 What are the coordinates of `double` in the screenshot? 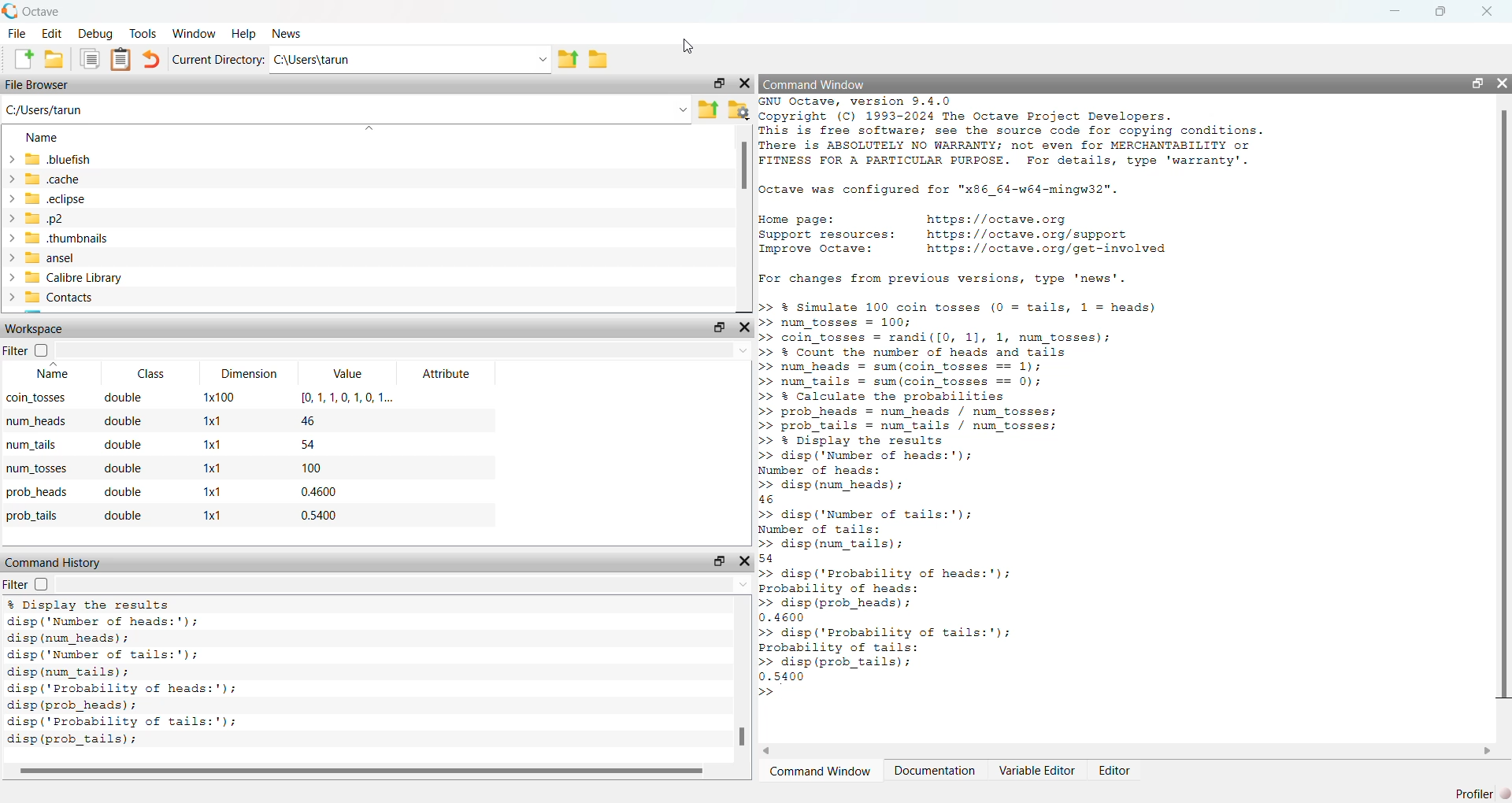 It's located at (124, 468).